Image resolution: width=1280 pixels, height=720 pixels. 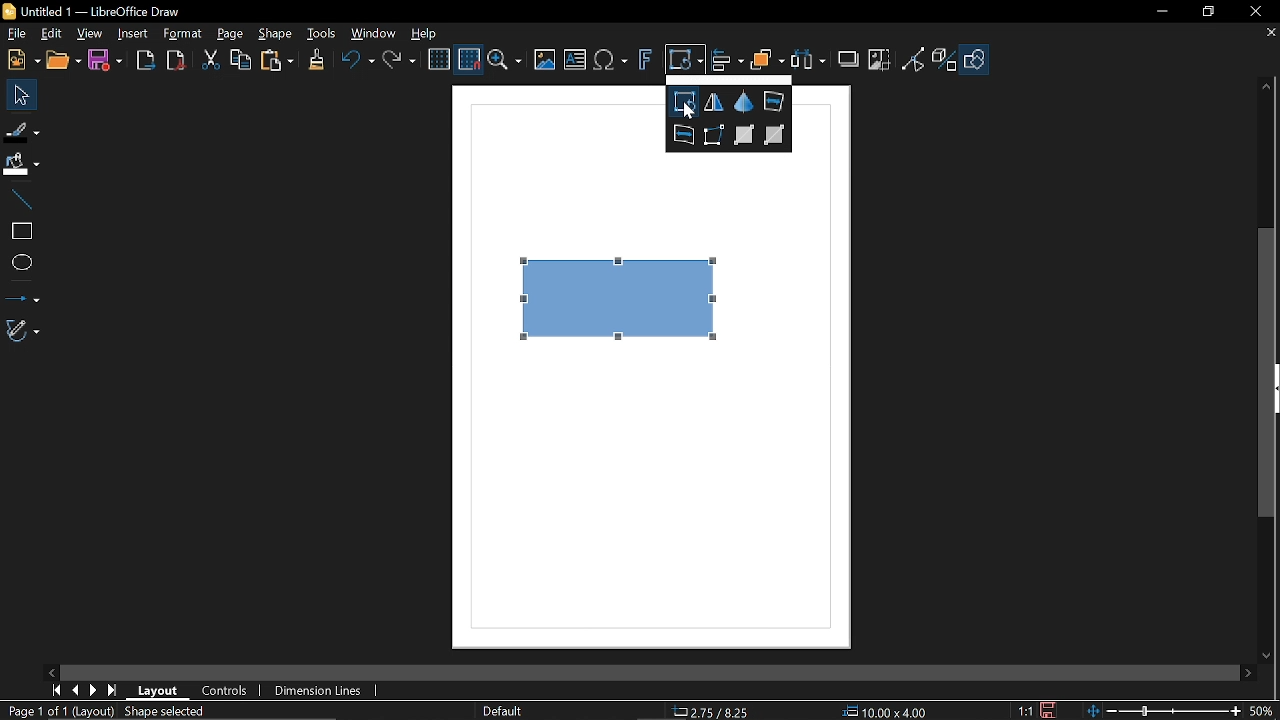 I want to click on Zoom, so click(x=505, y=61).